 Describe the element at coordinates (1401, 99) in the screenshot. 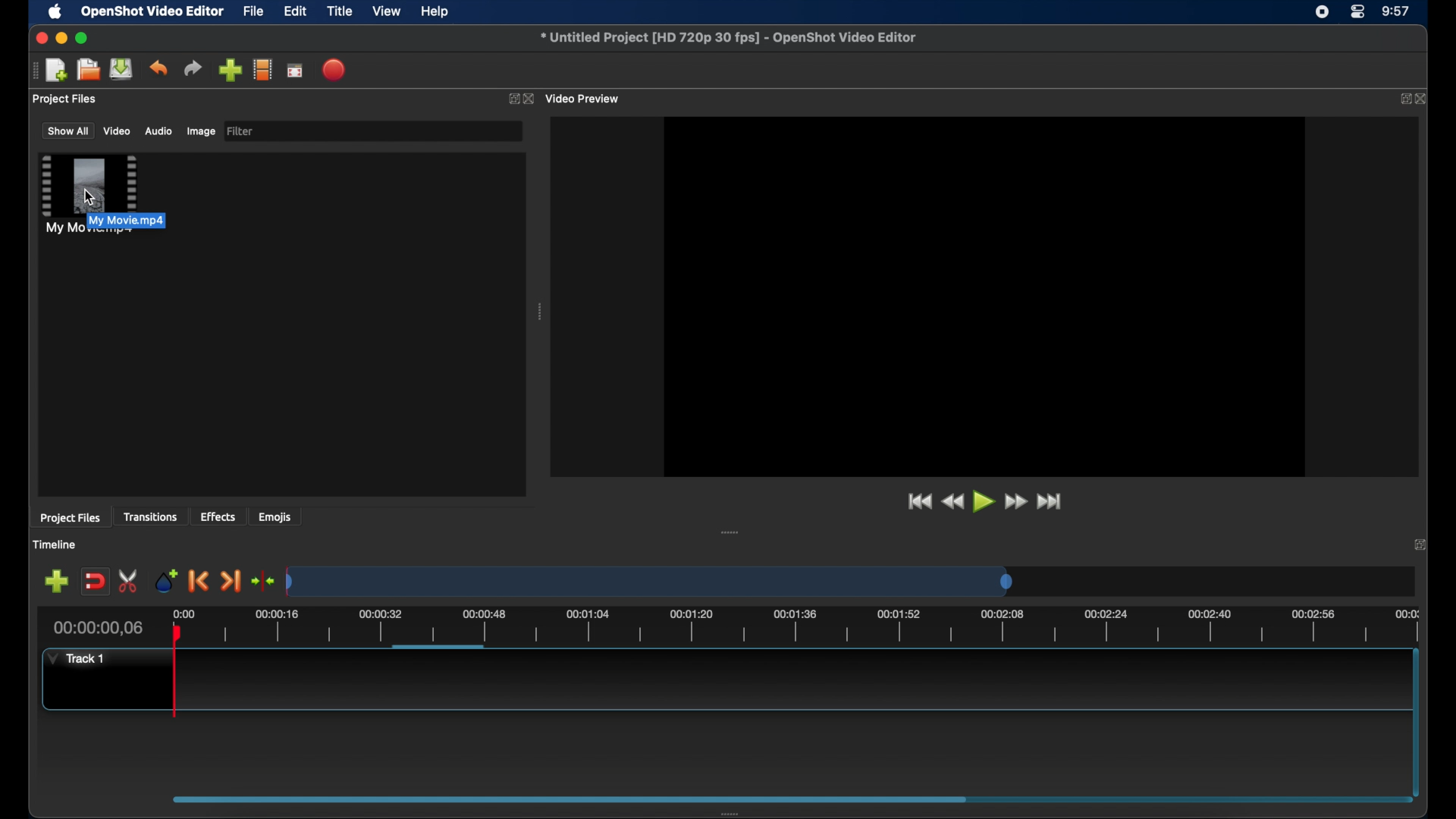

I see `expand` at that location.